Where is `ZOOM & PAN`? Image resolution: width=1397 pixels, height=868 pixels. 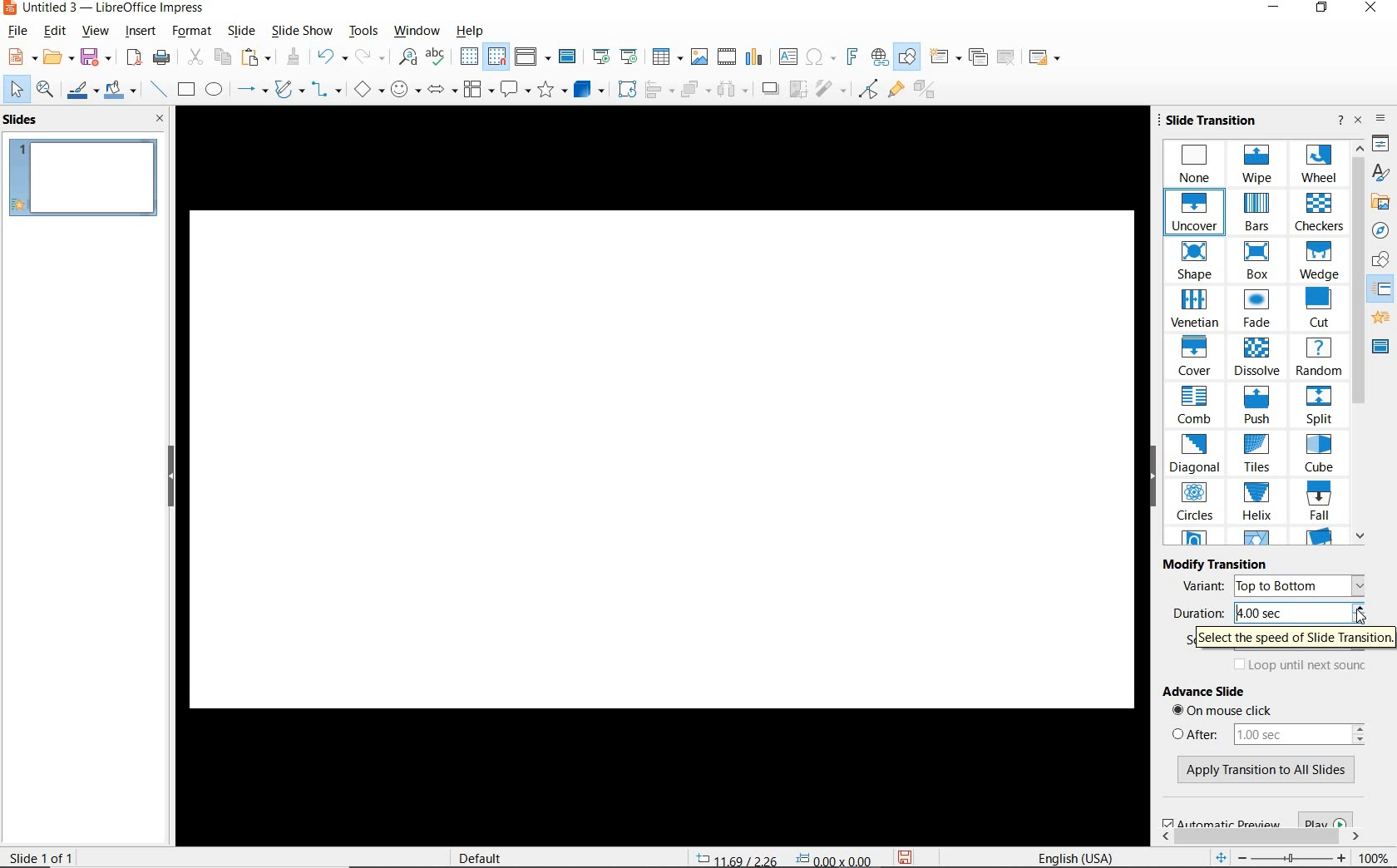
ZOOM & PAN is located at coordinates (47, 91).